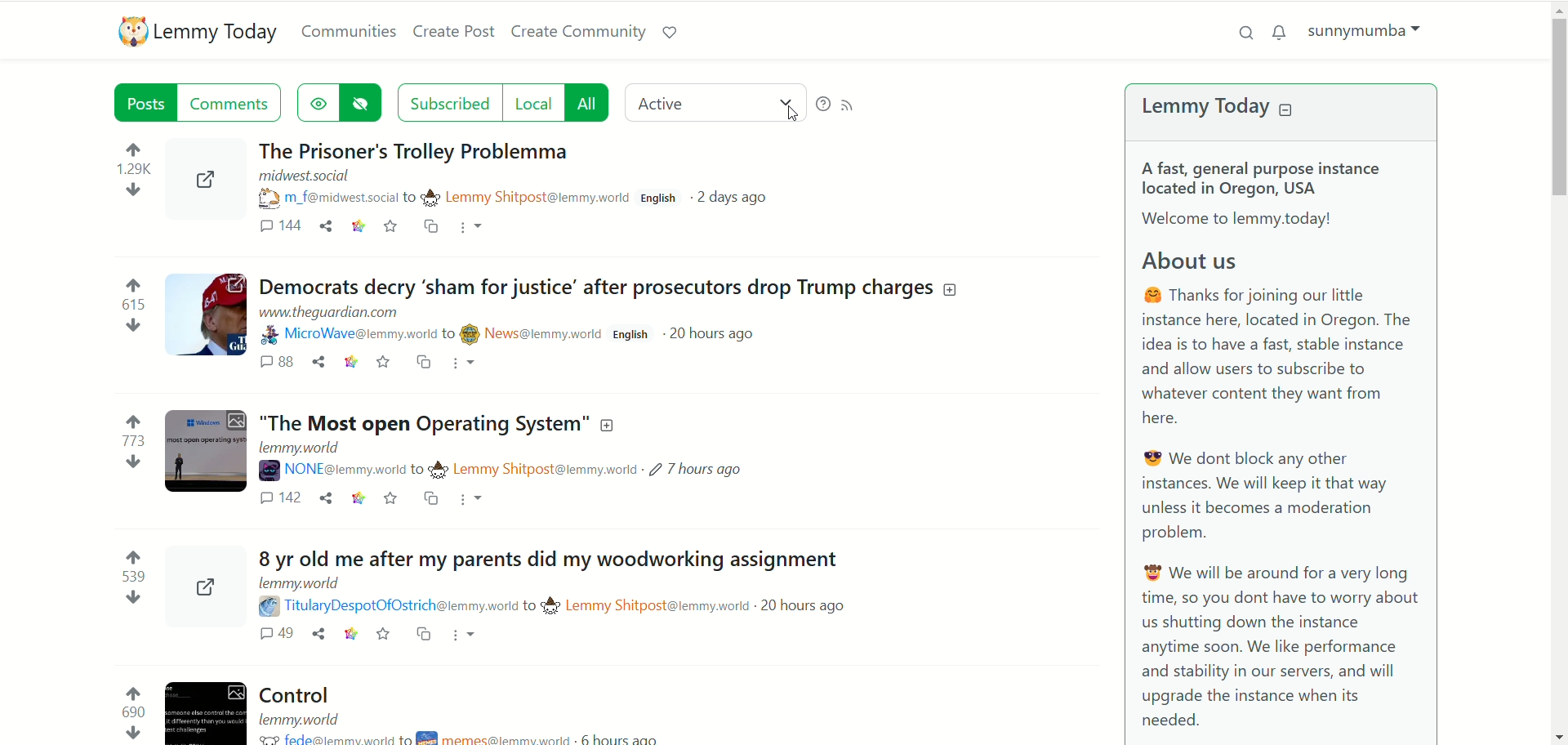  What do you see at coordinates (421, 364) in the screenshot?
I see `cross-post` at bounding box center [421, 364].